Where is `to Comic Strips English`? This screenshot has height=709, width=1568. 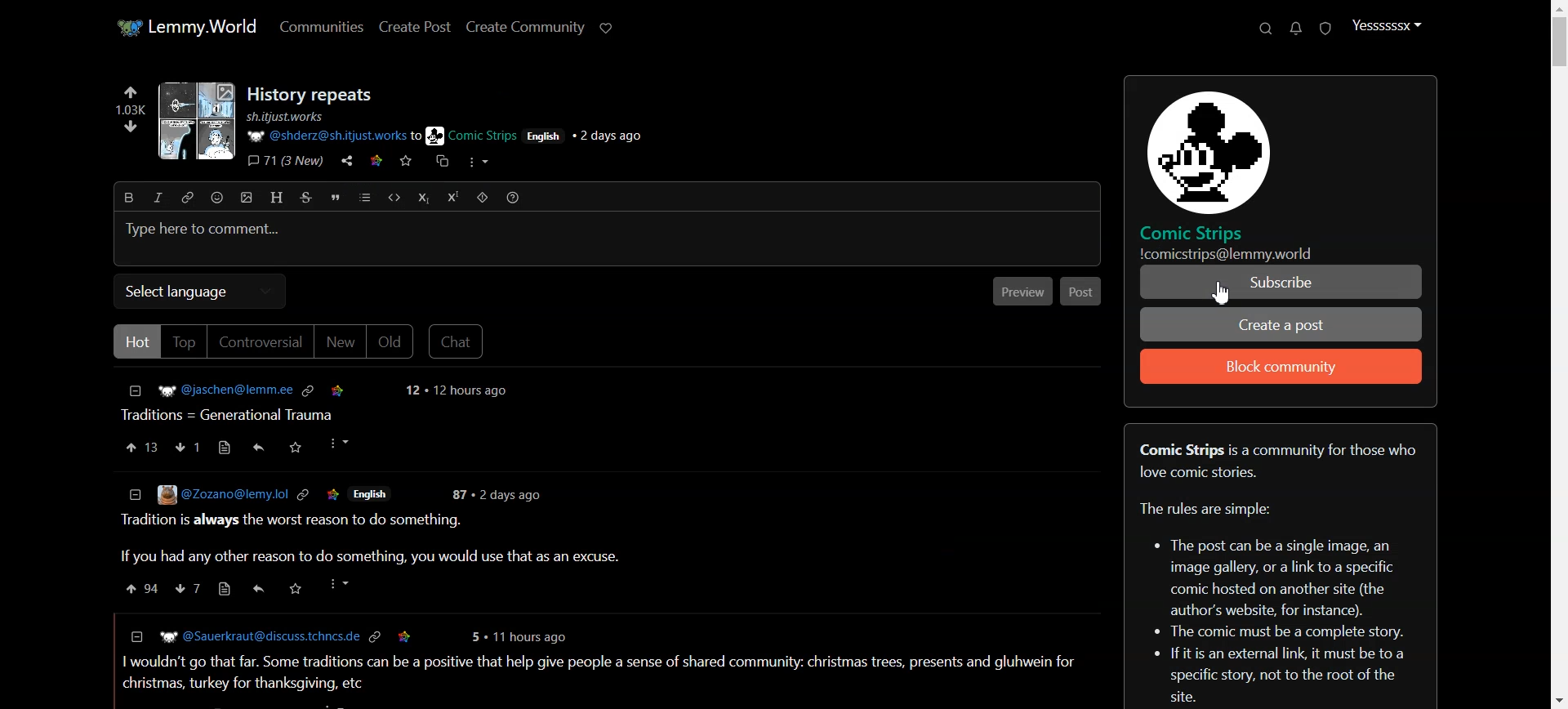
to Comic Strips English is located at coordinates (485, 136).